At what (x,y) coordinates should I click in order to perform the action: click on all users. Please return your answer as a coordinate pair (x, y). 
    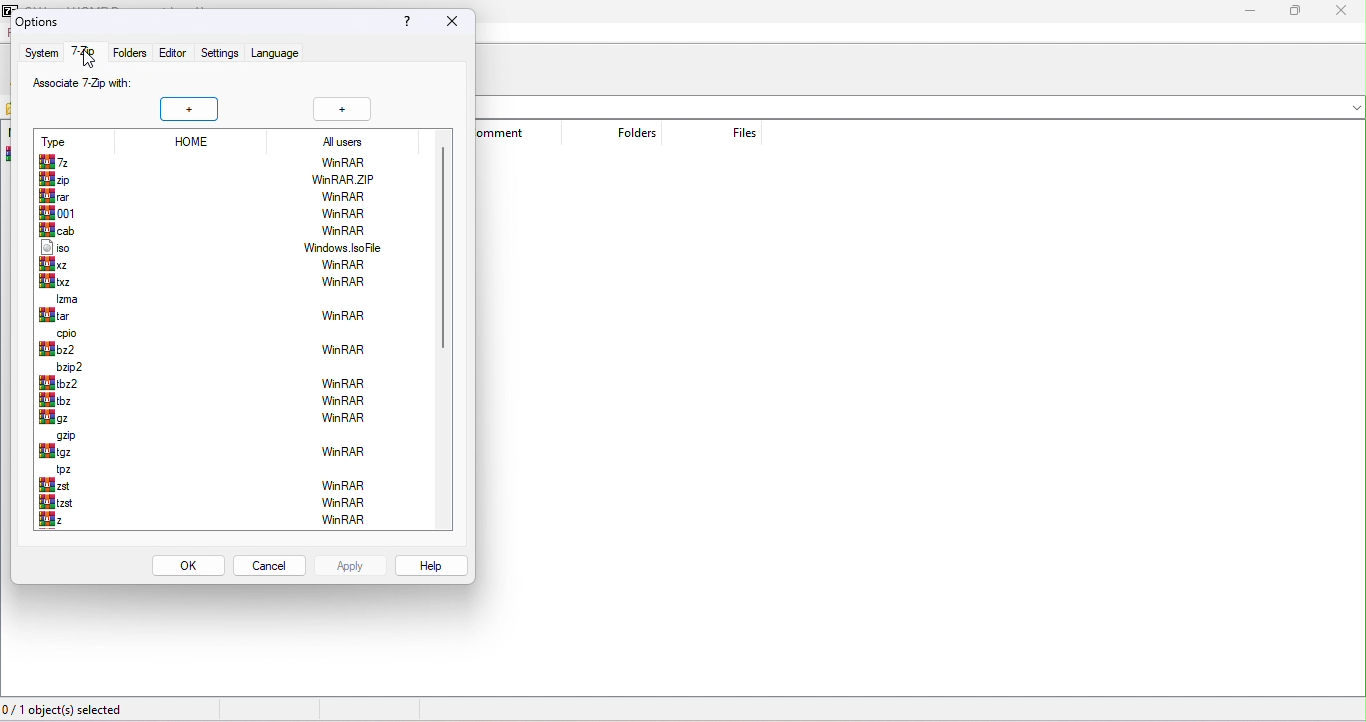
    Looking at the image, I should click on (347, 142).